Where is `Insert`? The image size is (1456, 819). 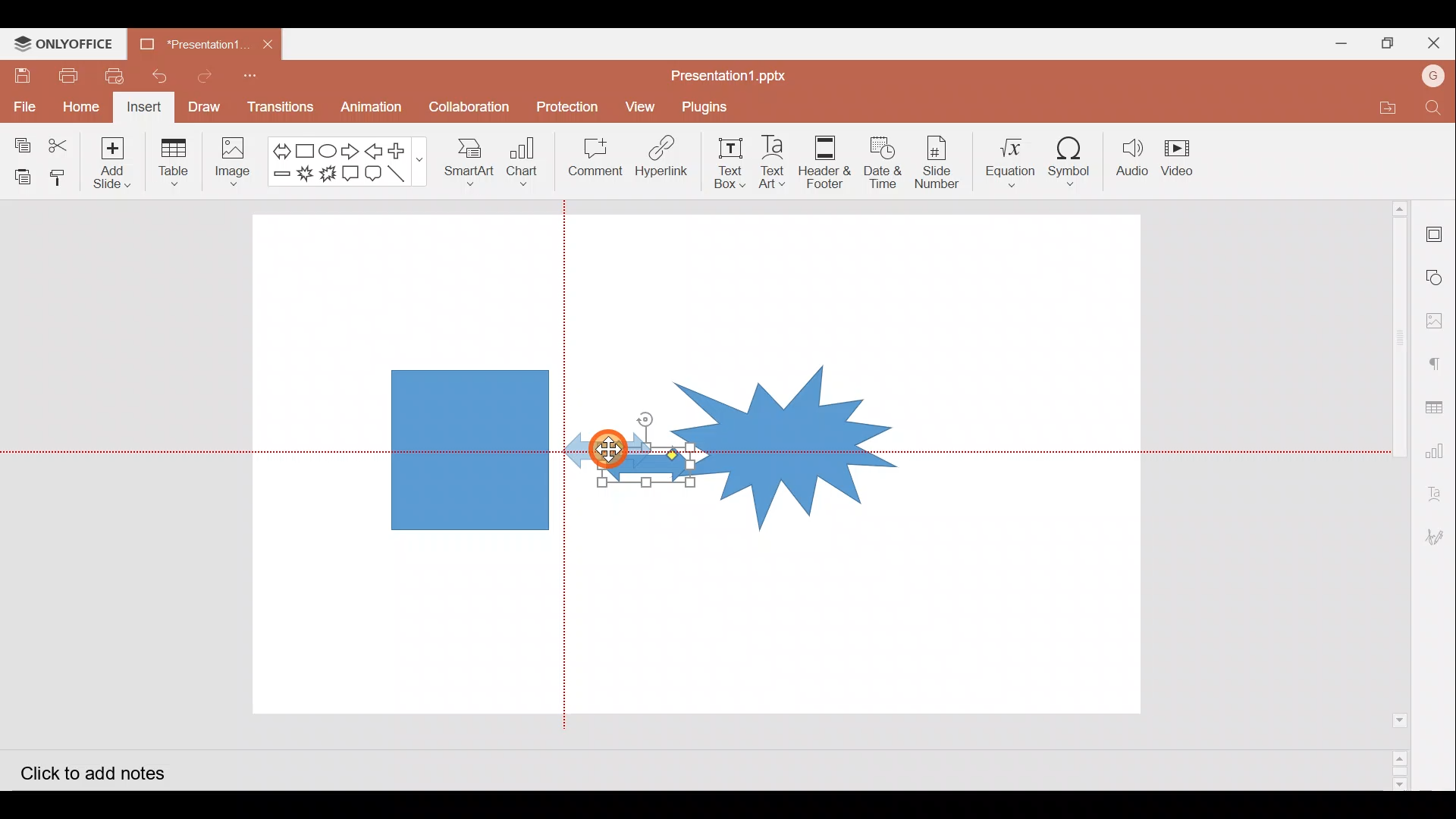 Insert is located at coordinates (145, 108).